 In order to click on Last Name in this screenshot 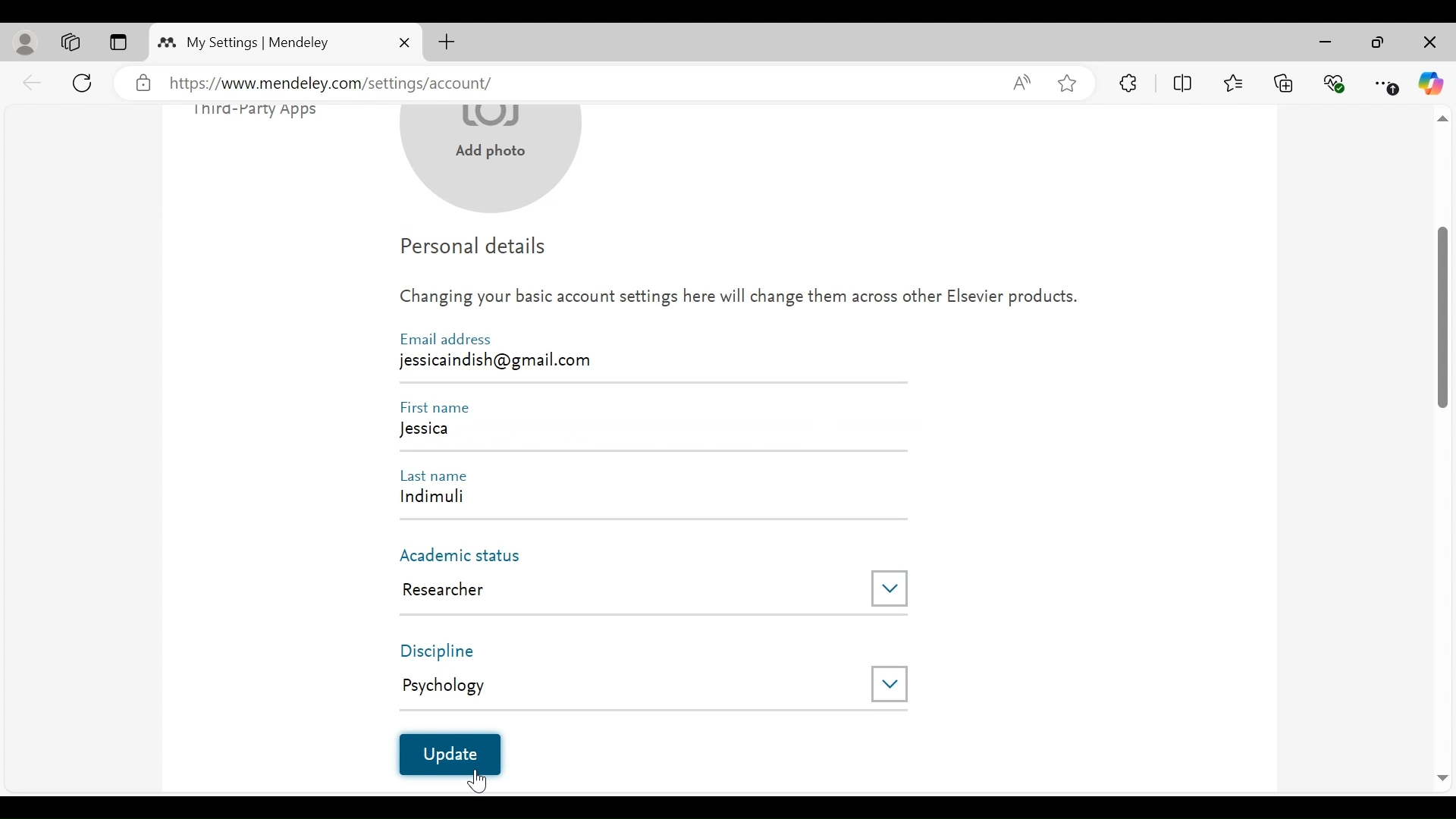, I will do `click(440, 474)`.